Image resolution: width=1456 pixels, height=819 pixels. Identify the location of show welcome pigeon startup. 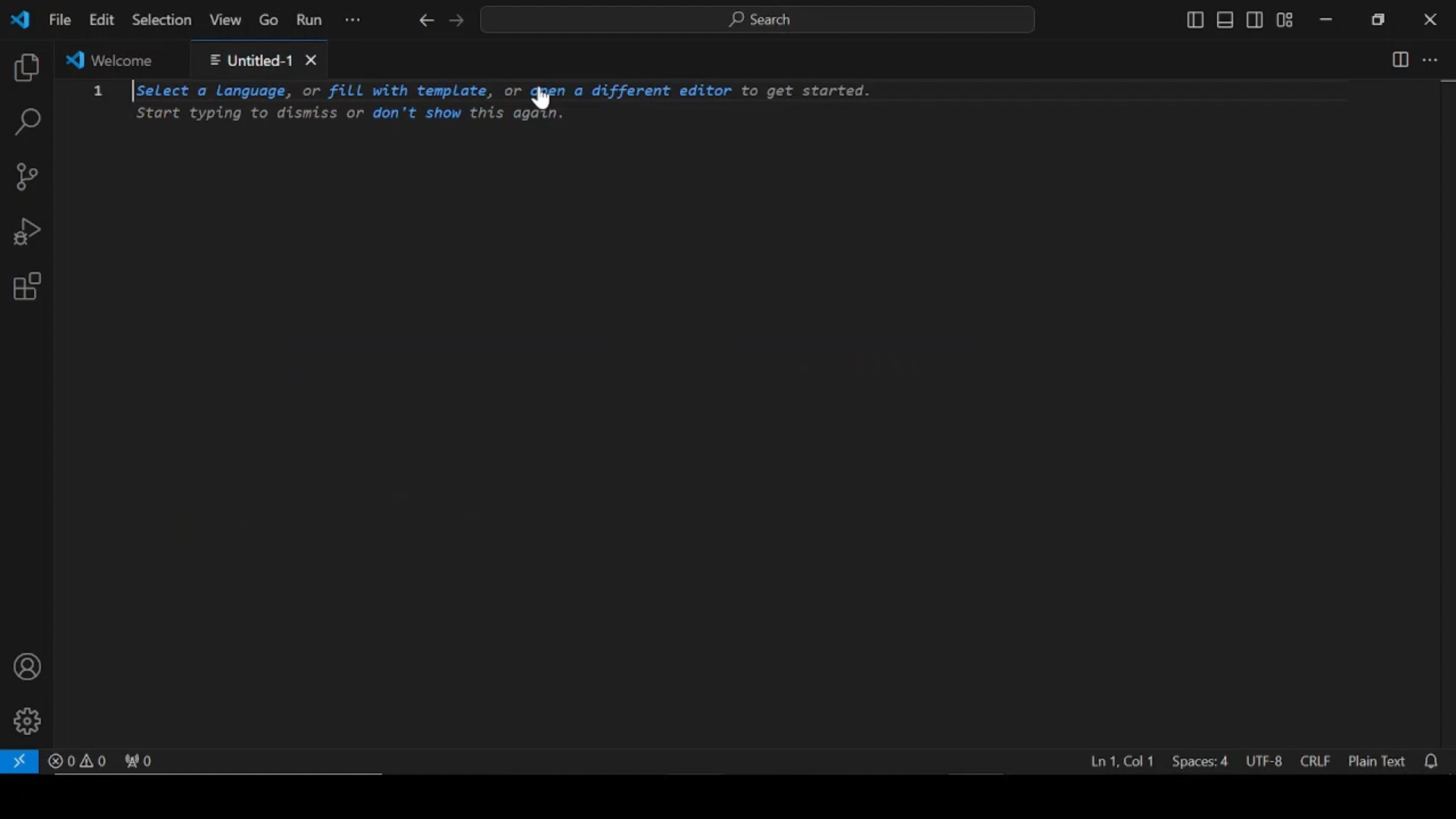
(758, 723).